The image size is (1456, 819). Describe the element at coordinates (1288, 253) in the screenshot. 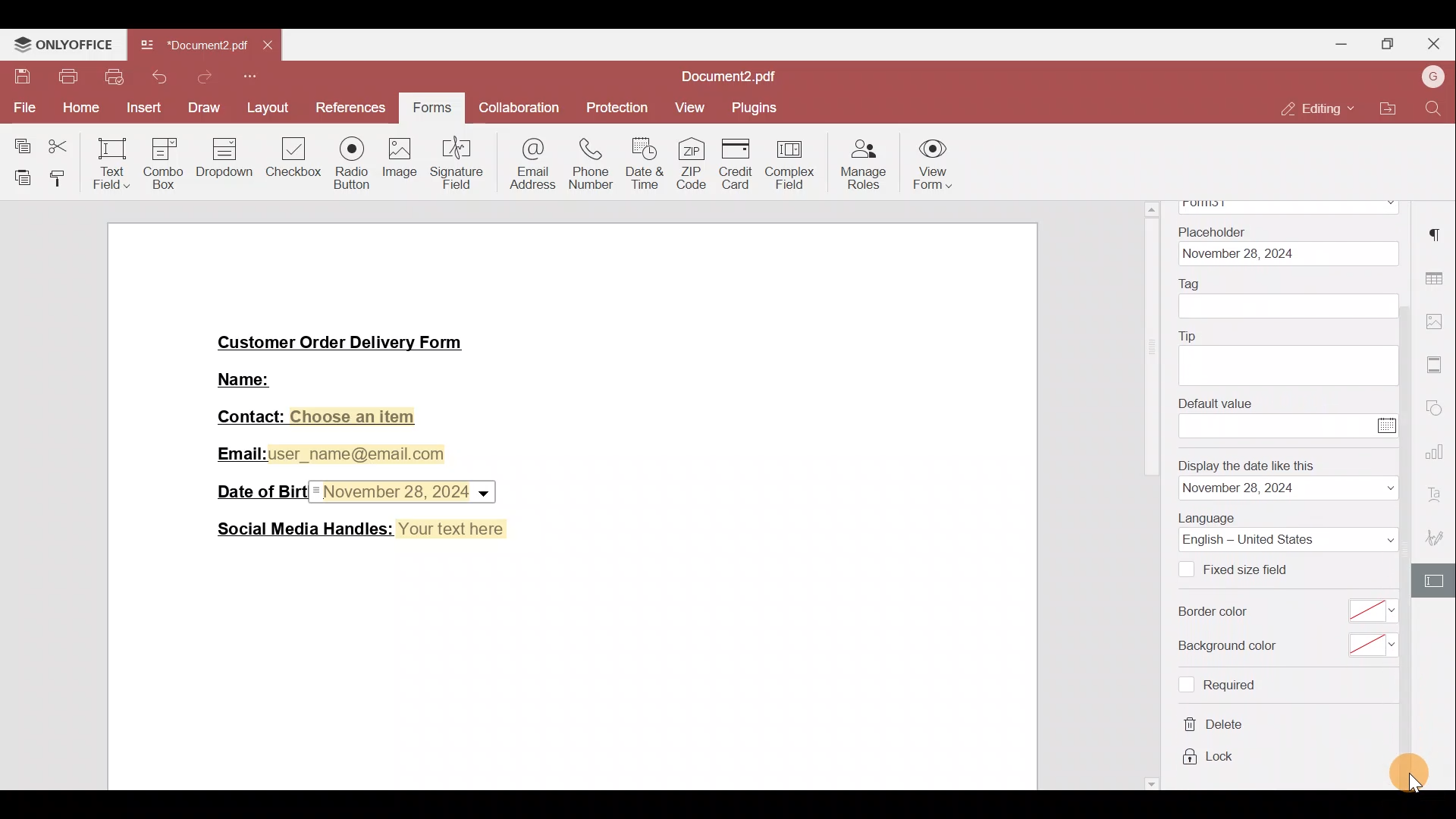

I see `date` at that location.